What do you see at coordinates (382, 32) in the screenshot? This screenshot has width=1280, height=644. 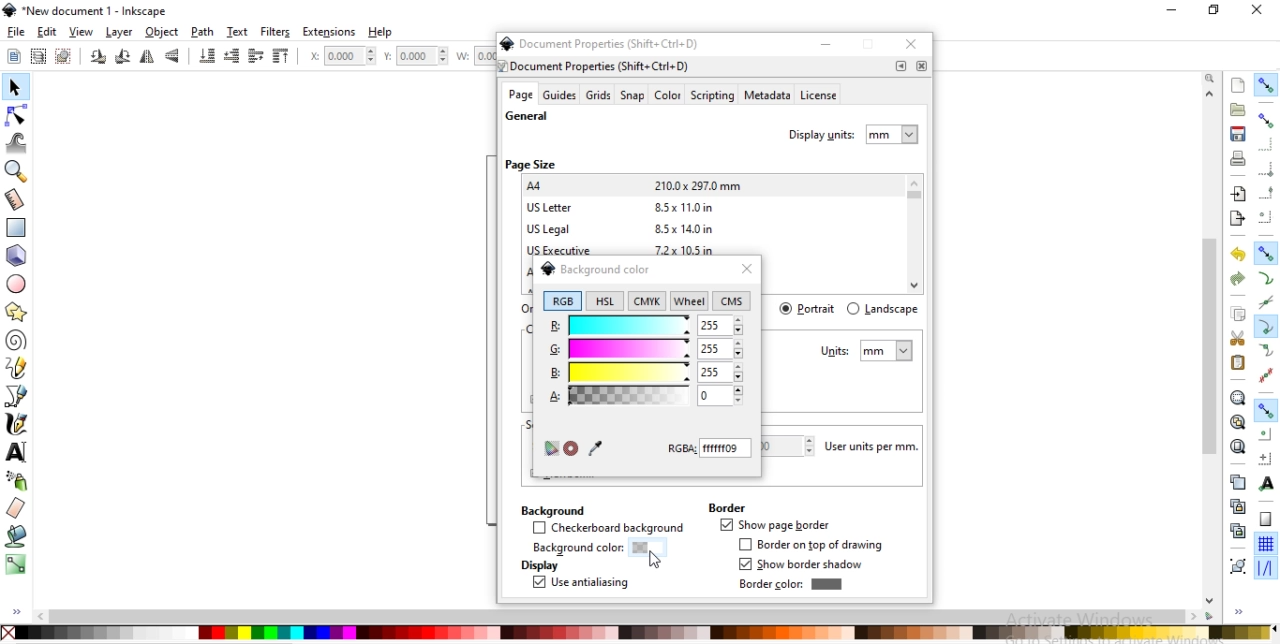 I see `help` at bounding box center [382, 32].